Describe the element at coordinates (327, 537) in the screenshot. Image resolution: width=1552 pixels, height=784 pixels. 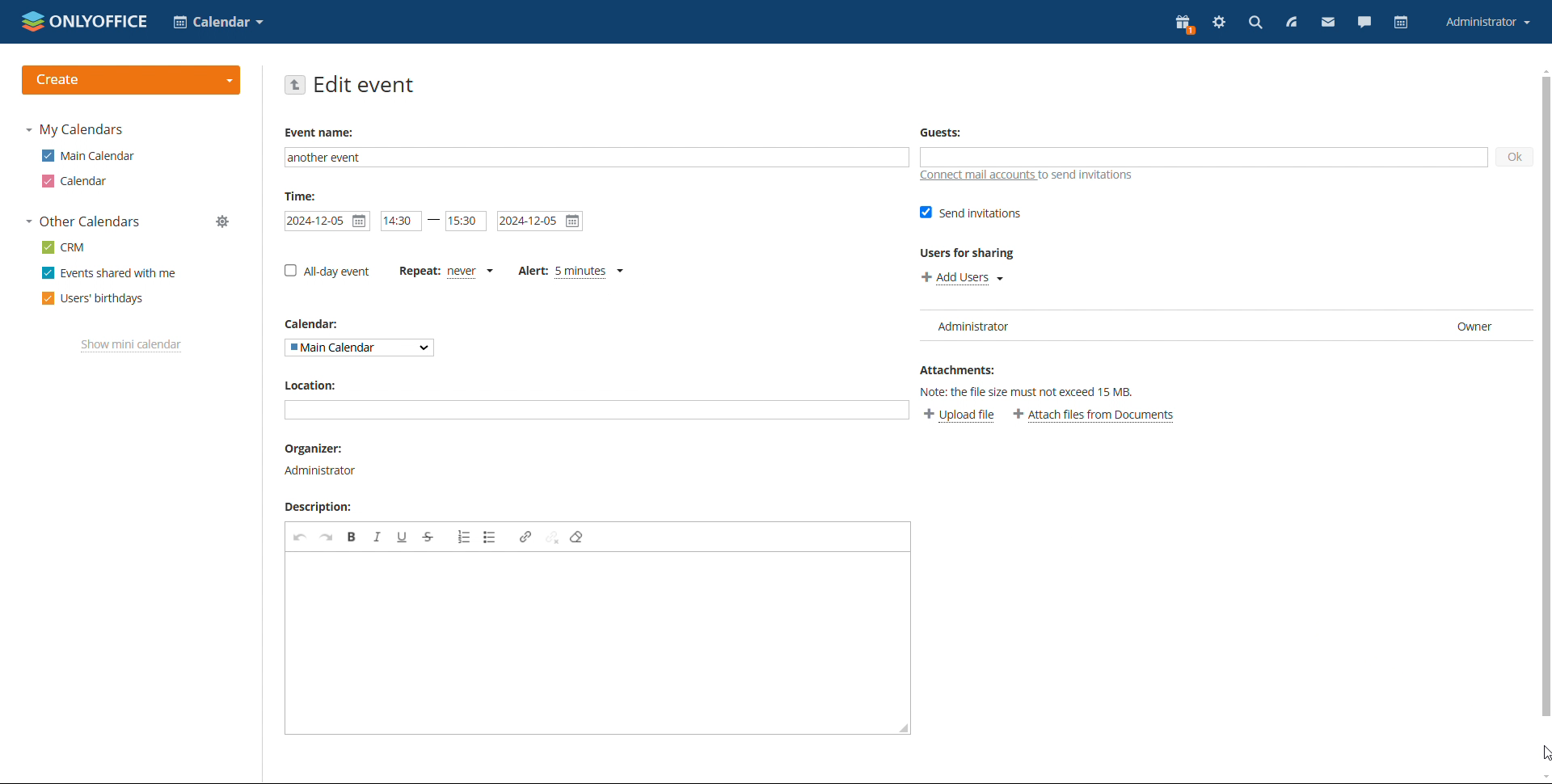
I see `redo` at that location.